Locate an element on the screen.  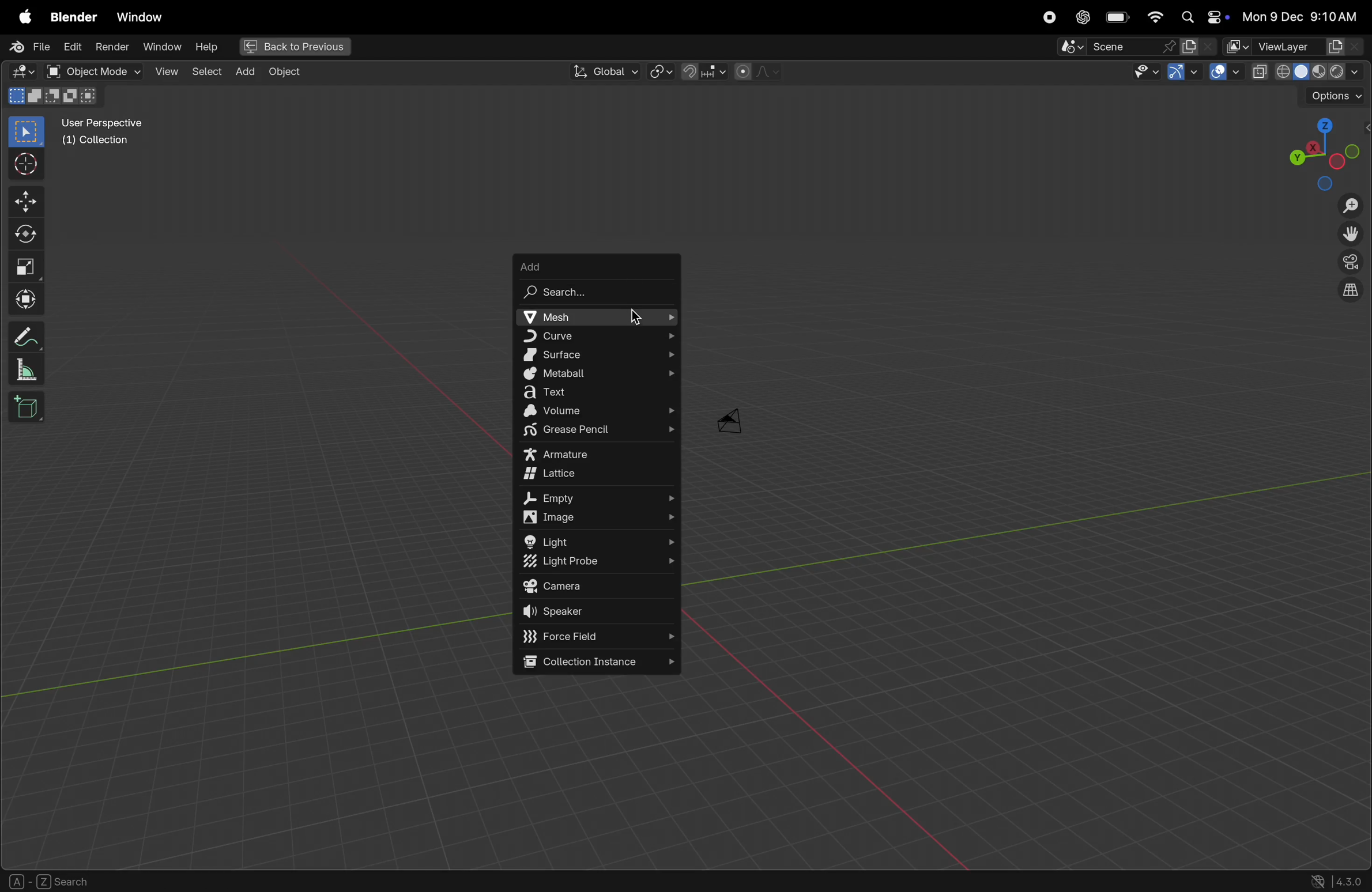
grease pencil is located at coordinates (599, 432).